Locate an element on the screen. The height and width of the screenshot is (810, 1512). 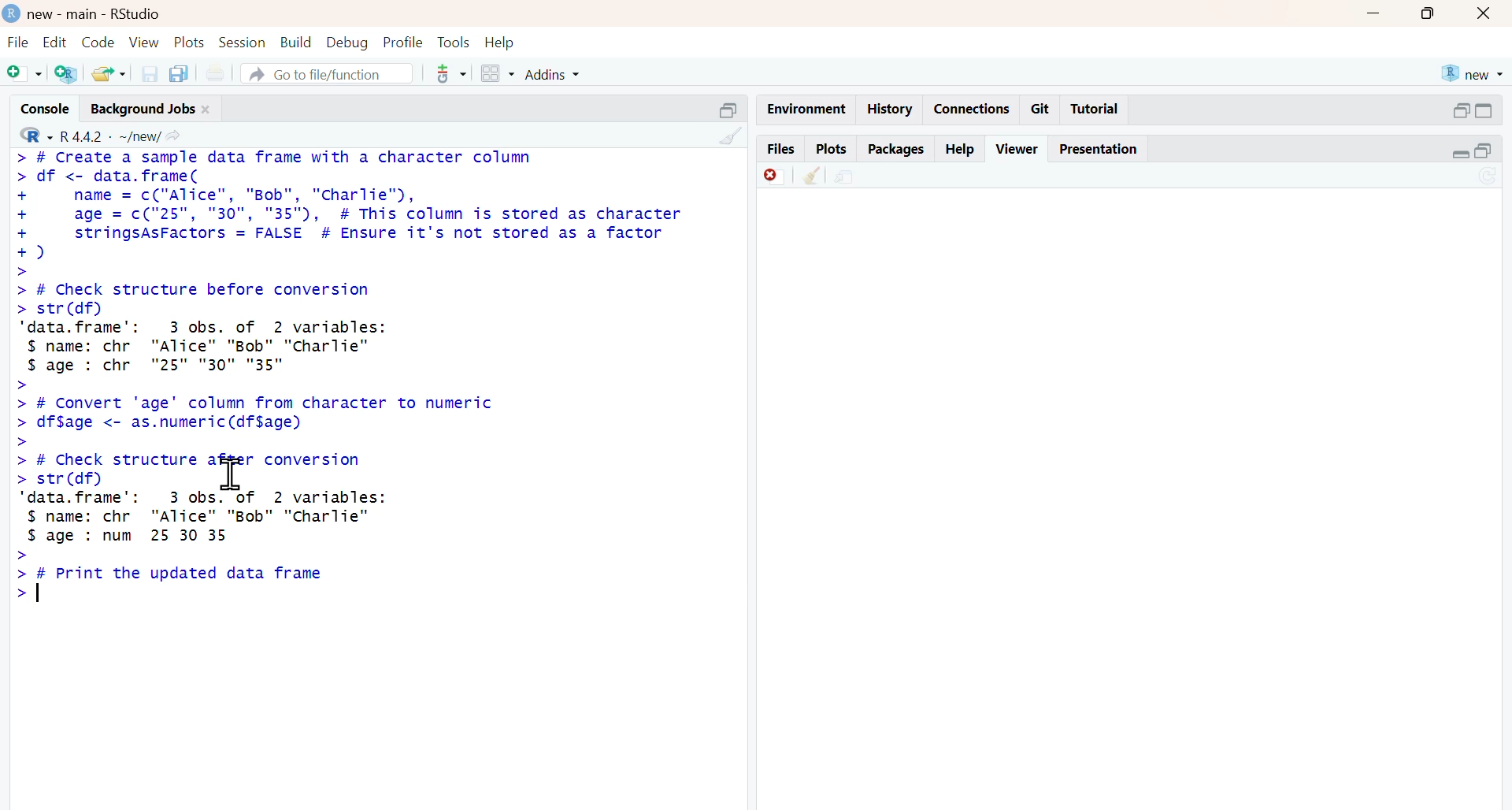
cursor is located at coordinates (233, 474).